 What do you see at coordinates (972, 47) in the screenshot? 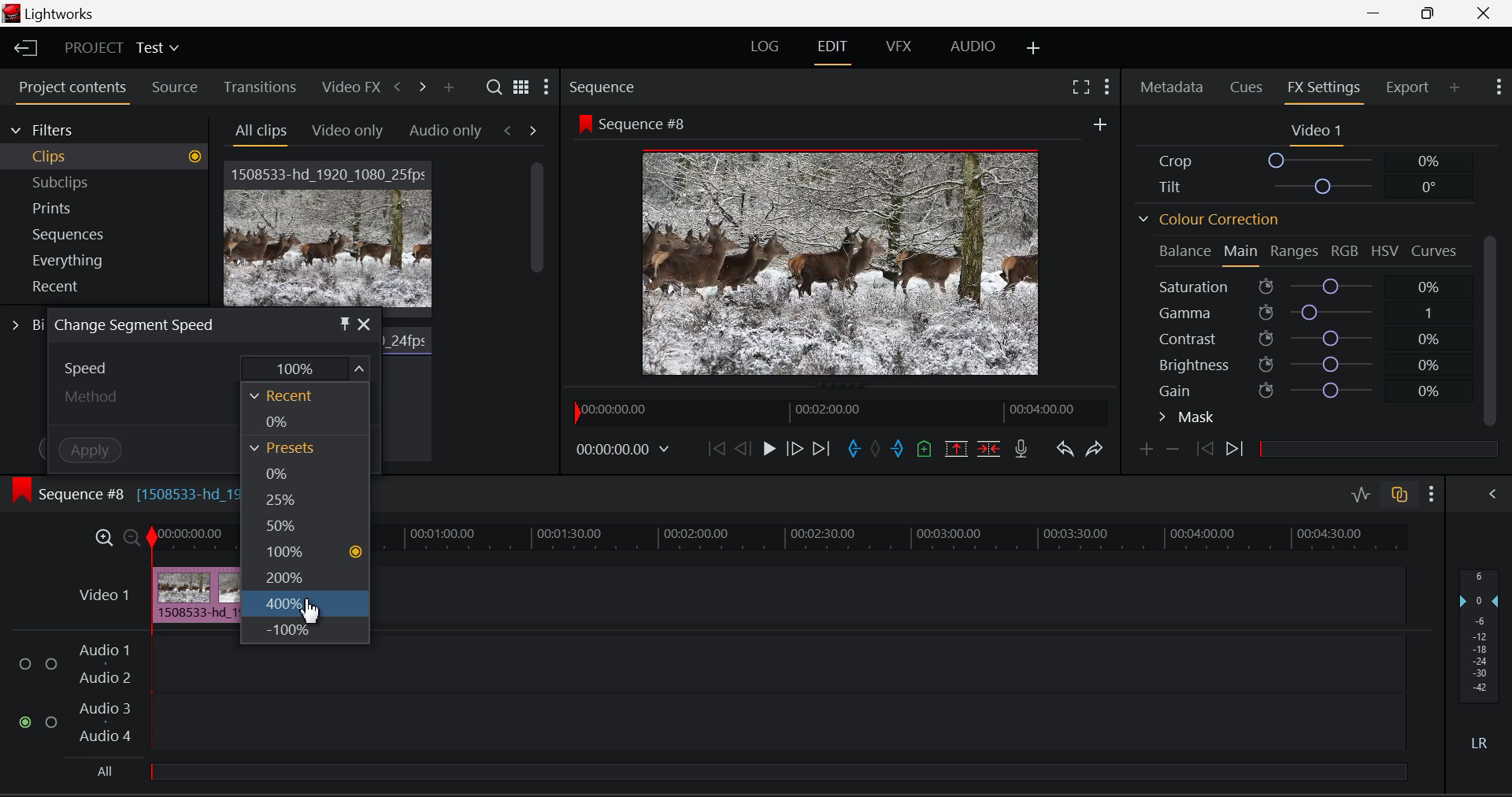
I see `AUDIO` at bounding box center [972, 47].